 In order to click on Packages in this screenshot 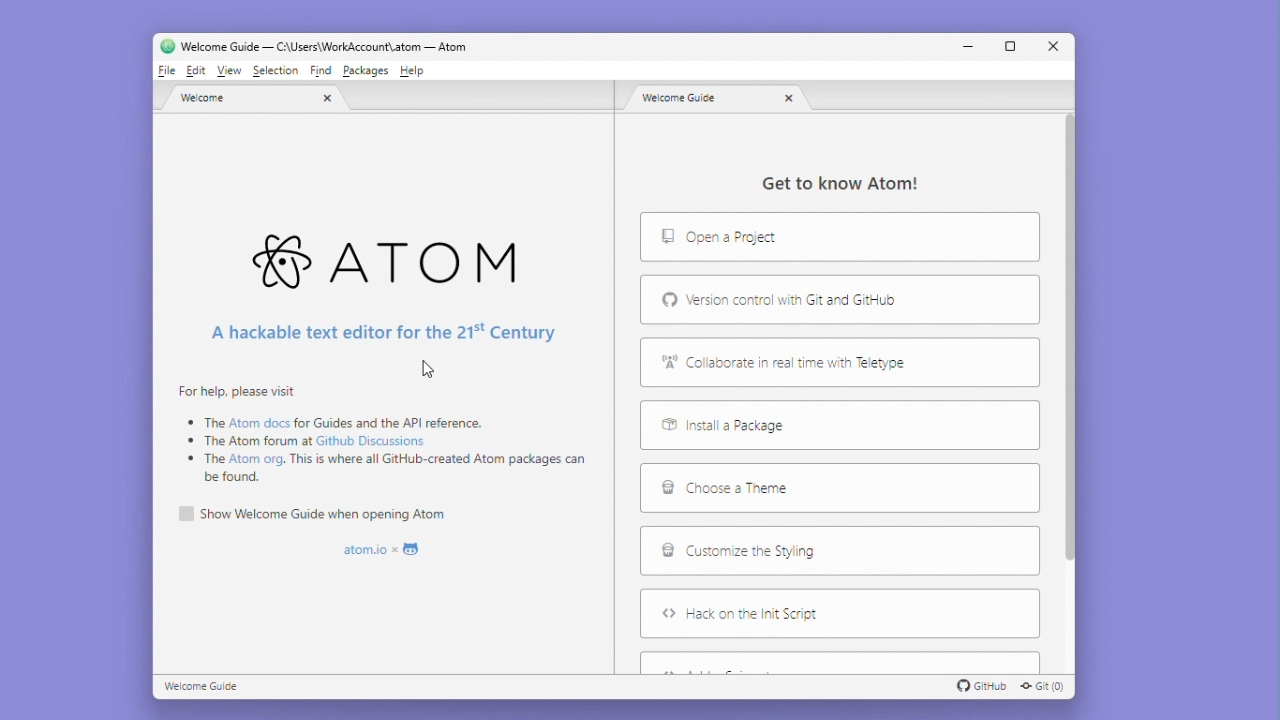, I will do `click(365, 71)`.